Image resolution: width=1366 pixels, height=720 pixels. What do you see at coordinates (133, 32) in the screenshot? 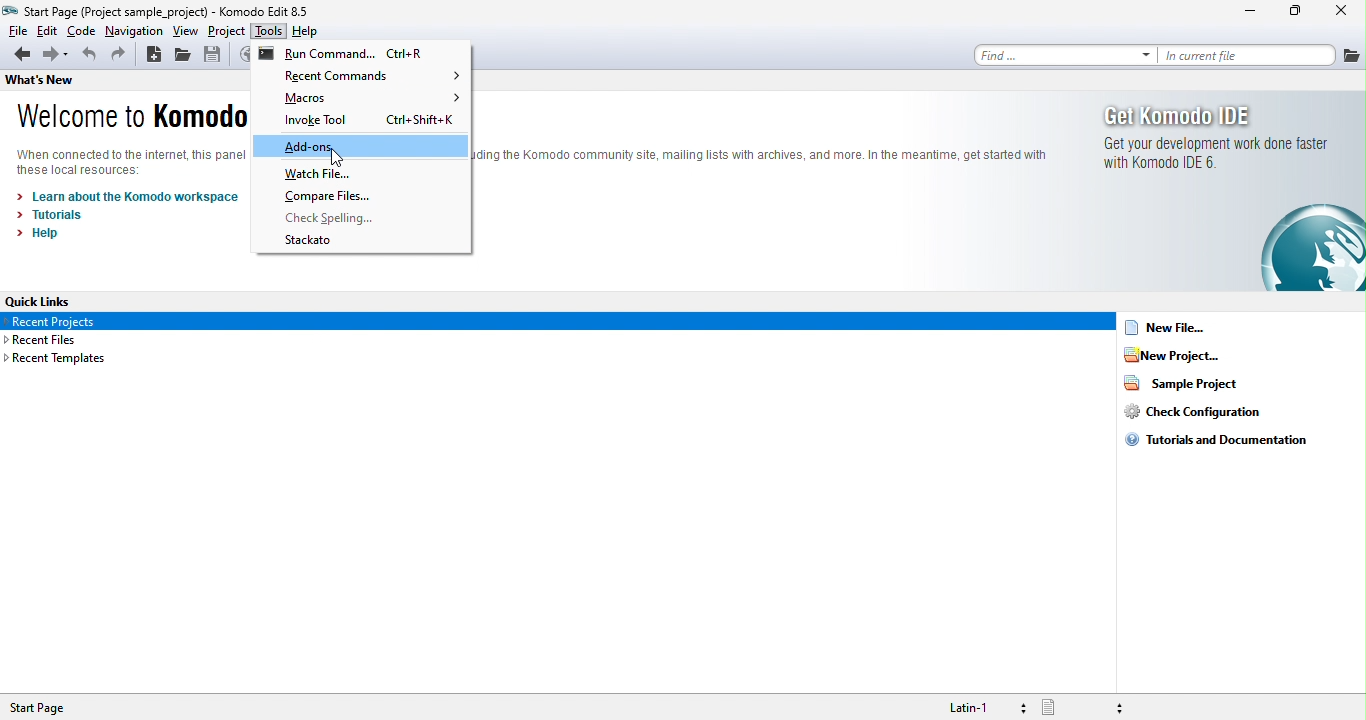
I see `navigation` at bounding box center [133, 32].